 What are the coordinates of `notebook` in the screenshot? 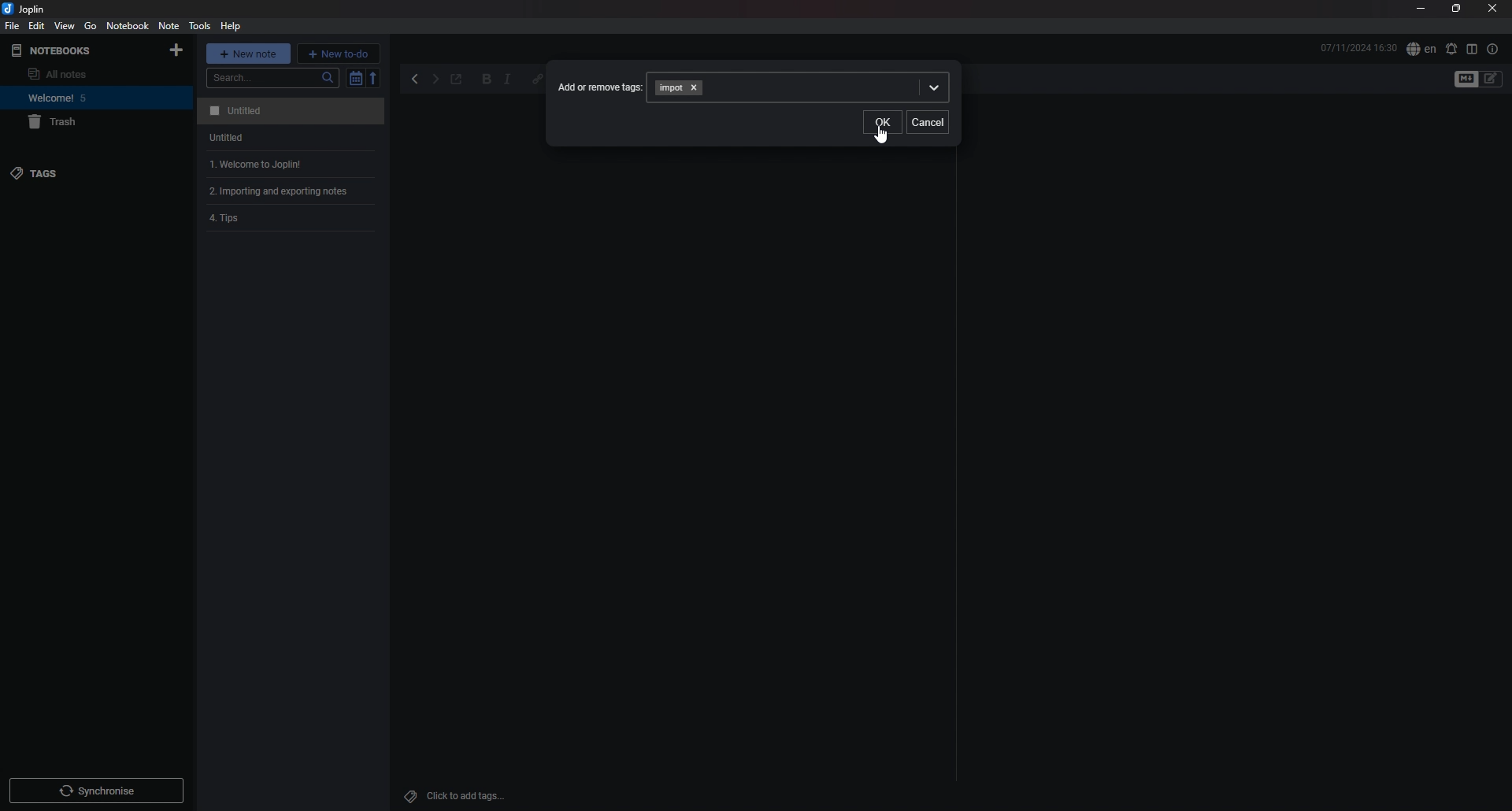 It's located at (128, 26).